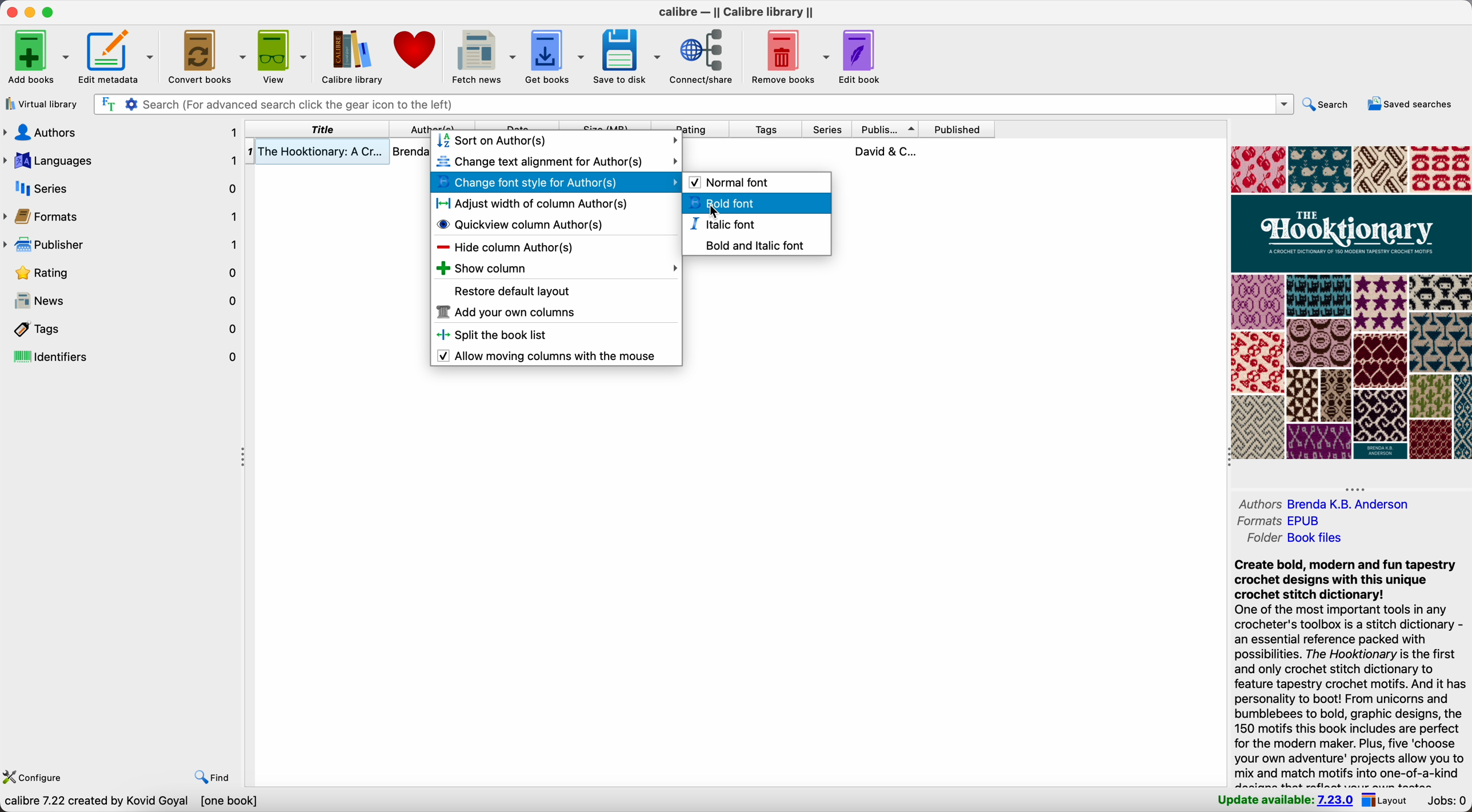  Describe the element at coordinates (691, 125) in the screenshot. I see `rating` at that location.